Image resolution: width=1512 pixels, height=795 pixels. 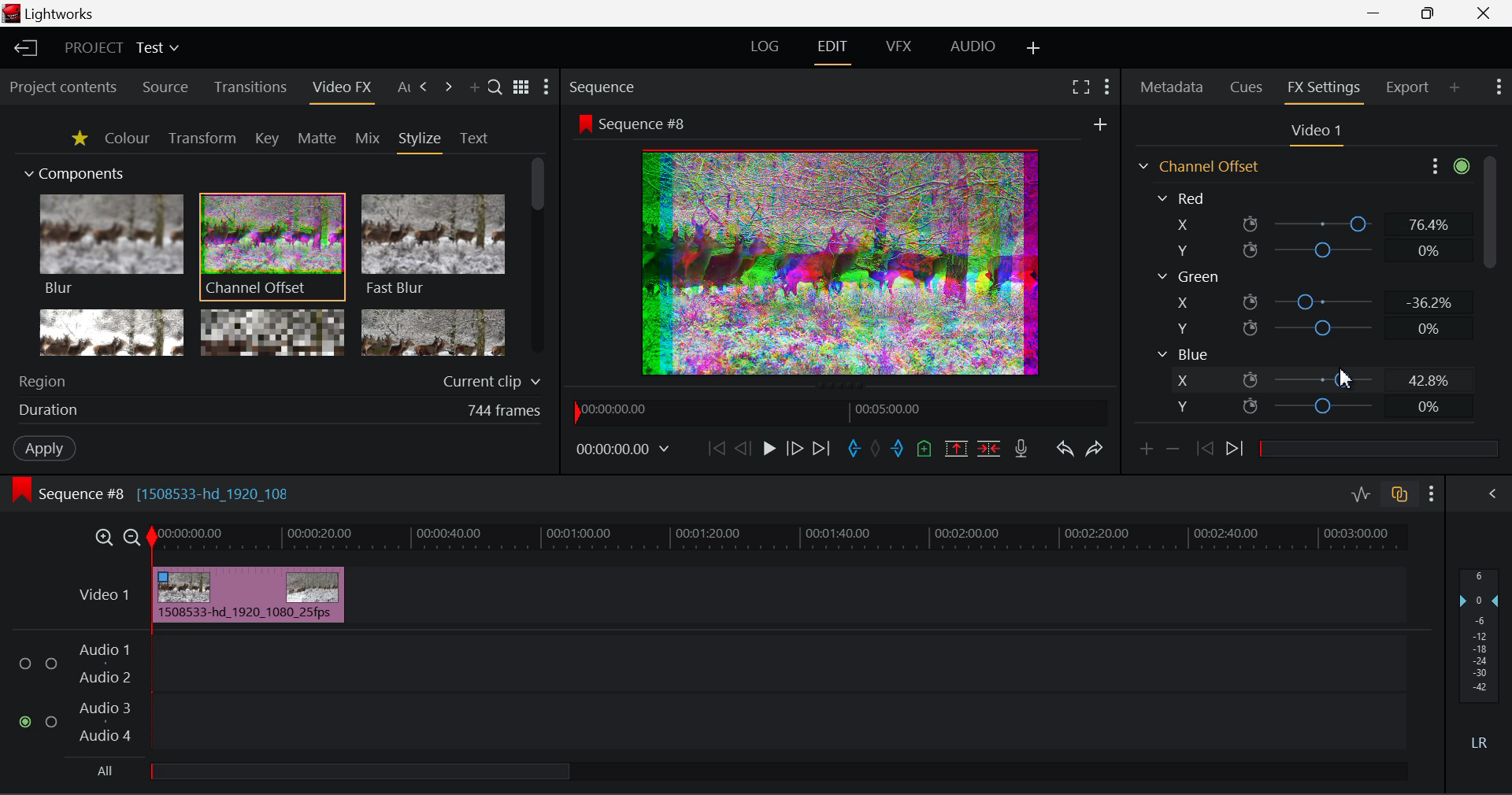 What do you see at coordinates (1095, 452) in the screenshot?
I see `Redo` at bounding box center [1095, 452].